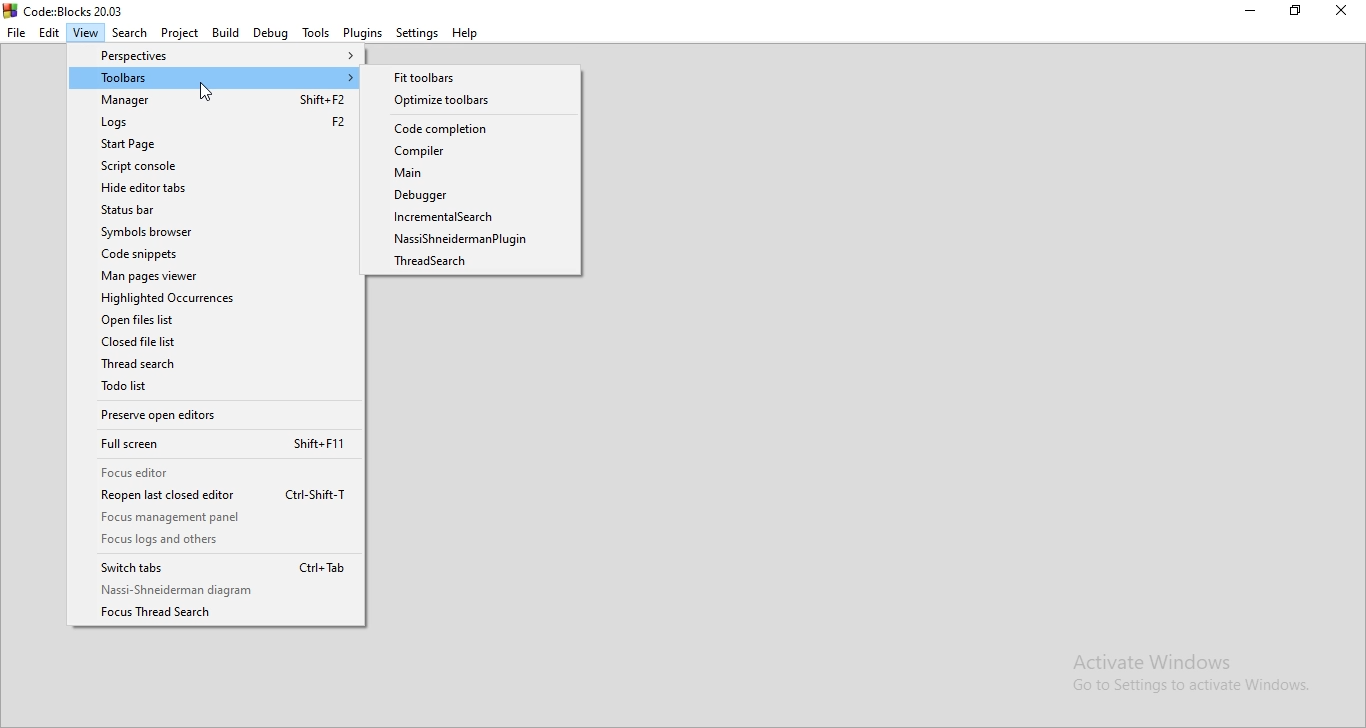 This screenshot has height=728, width=1366. What do you see at coordinates (221, 343) in the screenshot?
I see `Closed file list` at bounding box center [221, 343].